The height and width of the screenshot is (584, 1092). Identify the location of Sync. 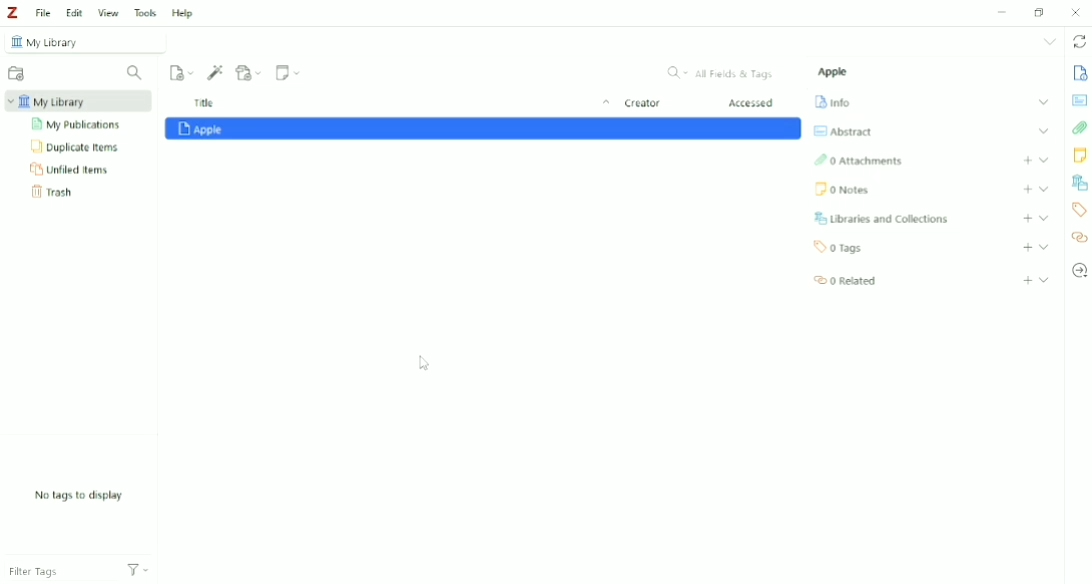
(1078, 42).